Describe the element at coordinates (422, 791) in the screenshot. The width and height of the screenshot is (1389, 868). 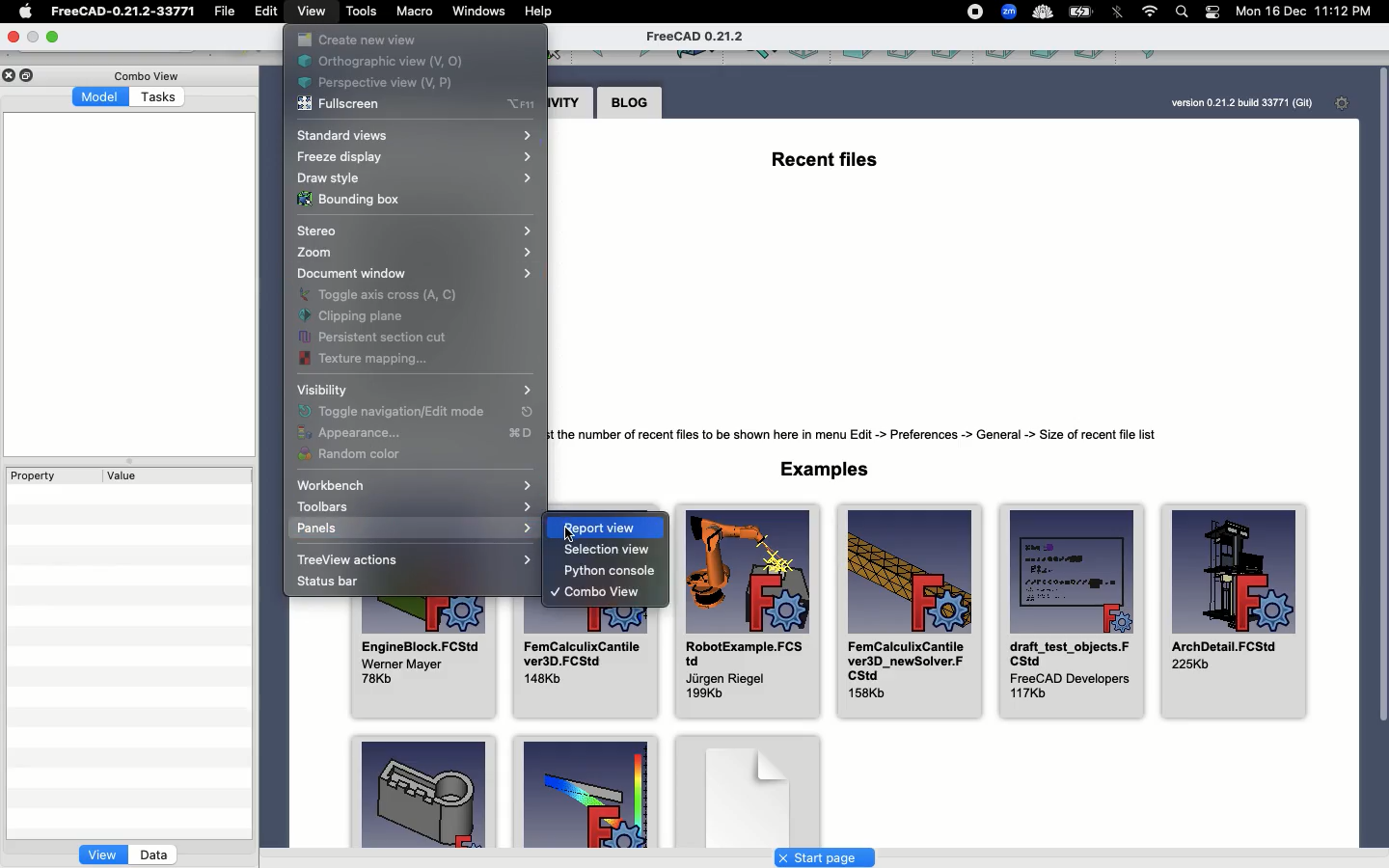
I see `Examples` at that location.